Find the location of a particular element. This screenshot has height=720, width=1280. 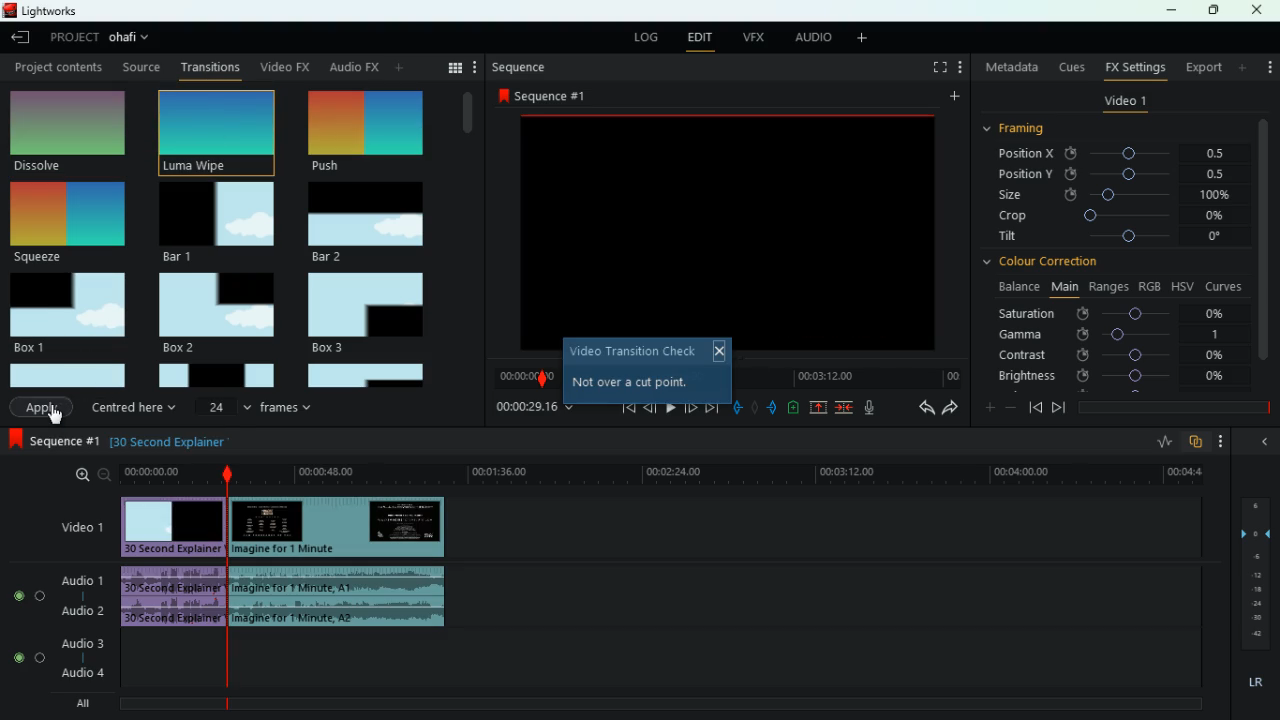

audio 3 is located at coordinates (79, 645).